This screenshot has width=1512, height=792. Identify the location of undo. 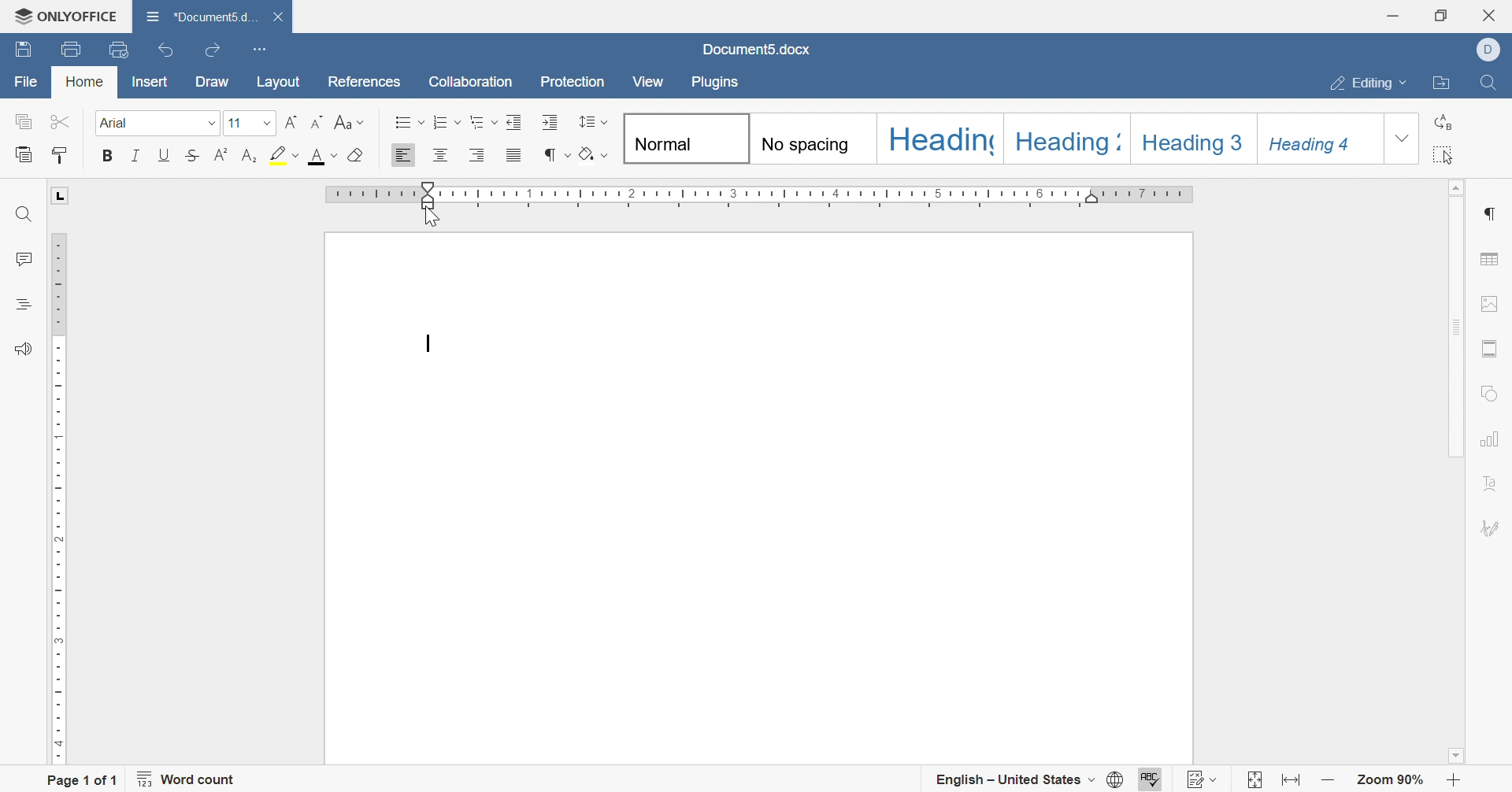
(165, 49).